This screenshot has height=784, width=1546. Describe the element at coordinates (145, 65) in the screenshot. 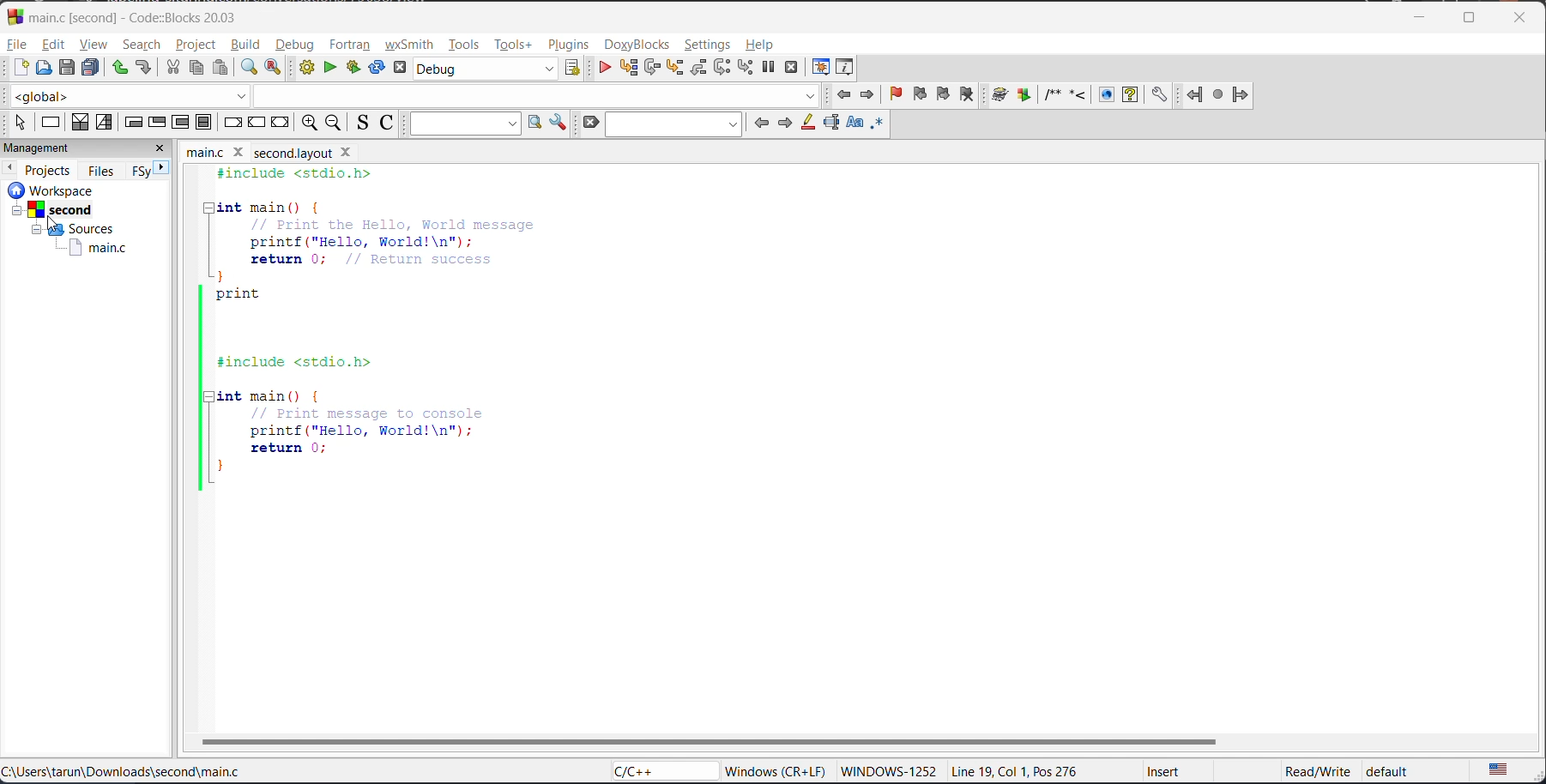

I see `redo` at that location.